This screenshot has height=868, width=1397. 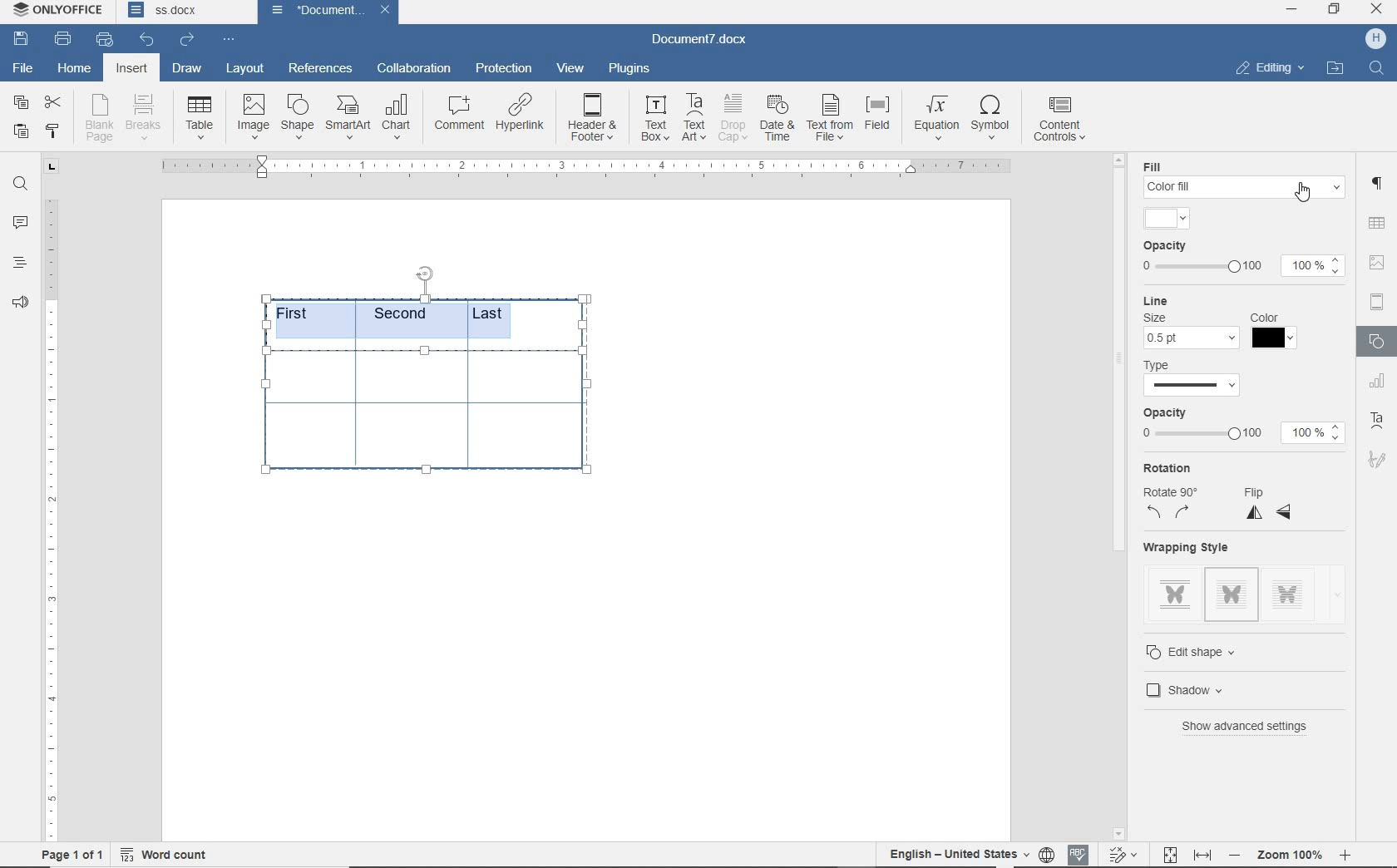 I want to click on chart, so click(x=399, y=118).